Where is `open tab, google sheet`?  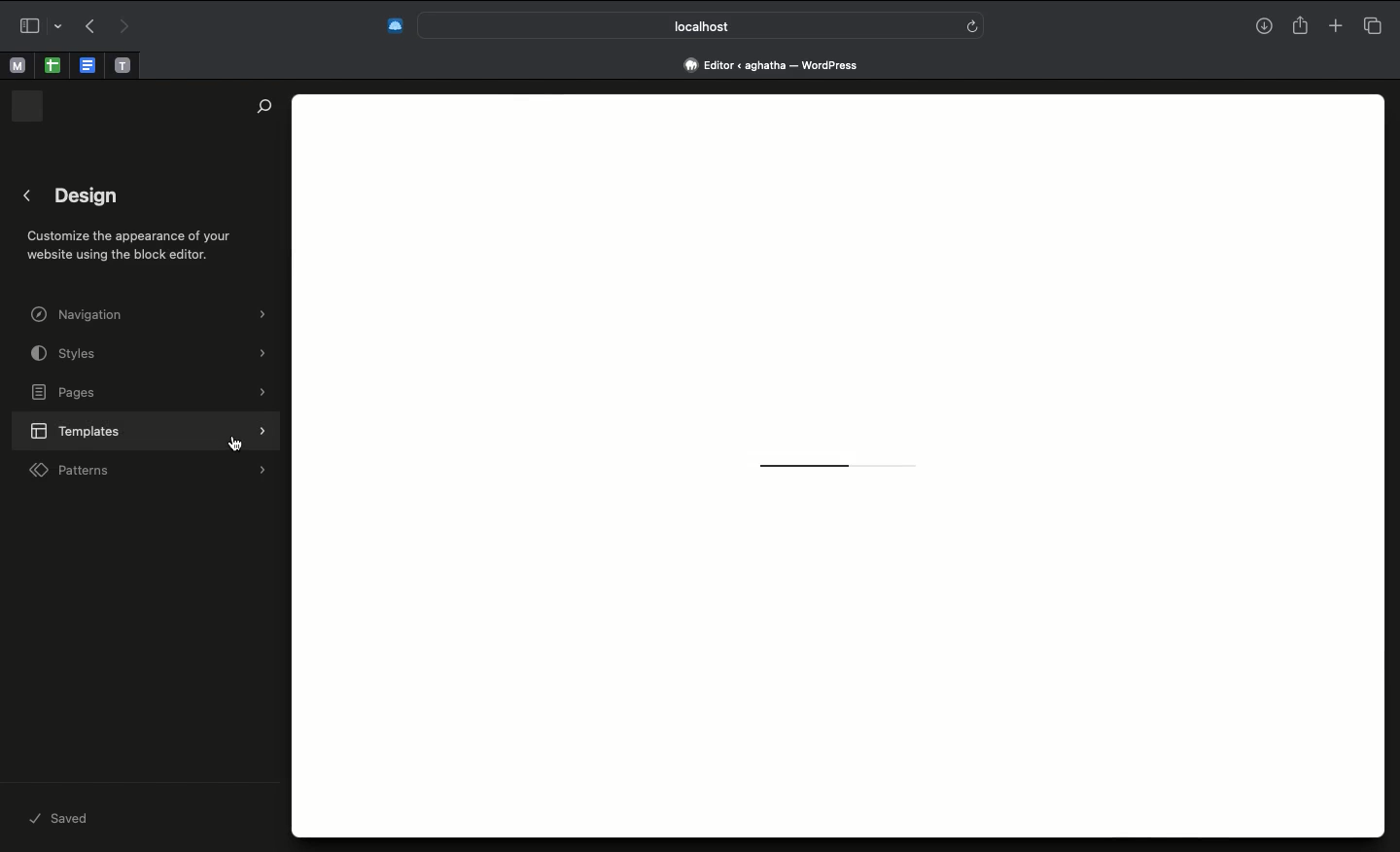
open tab, google sheet is located at coordinates (51, 65).